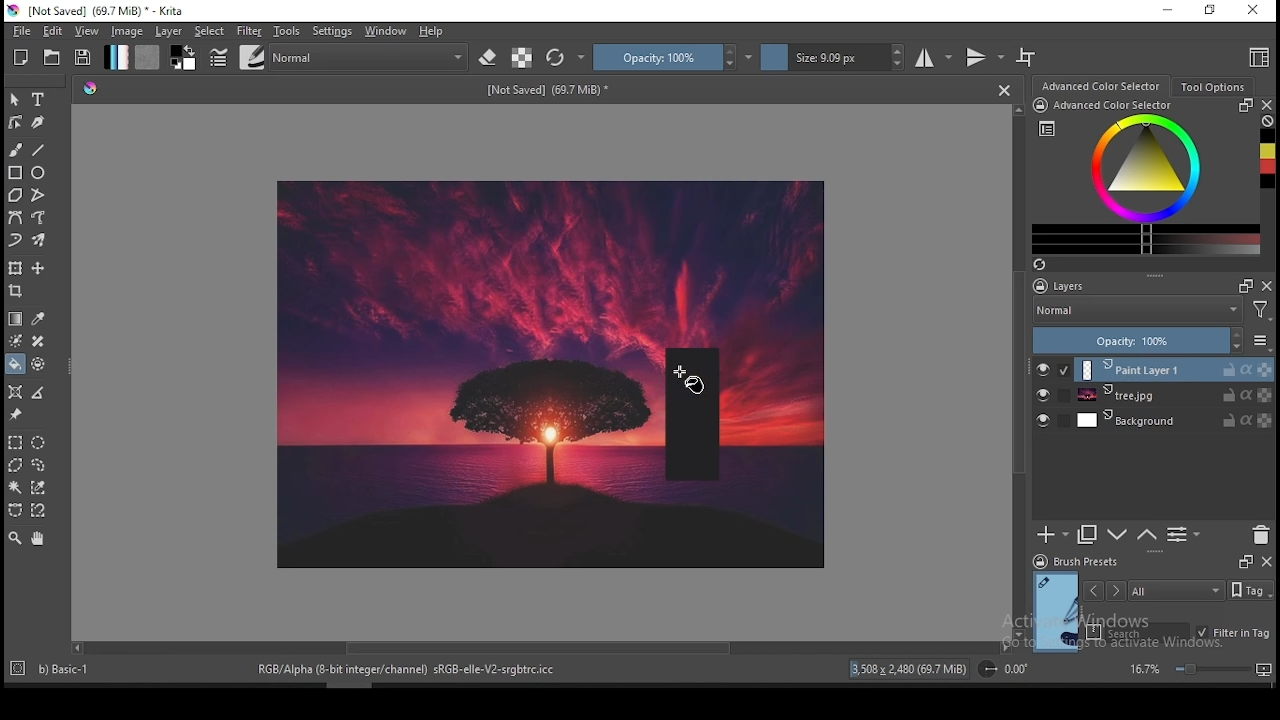 The image size is (1280, 720). I want to click on filter, so click(249, 30).